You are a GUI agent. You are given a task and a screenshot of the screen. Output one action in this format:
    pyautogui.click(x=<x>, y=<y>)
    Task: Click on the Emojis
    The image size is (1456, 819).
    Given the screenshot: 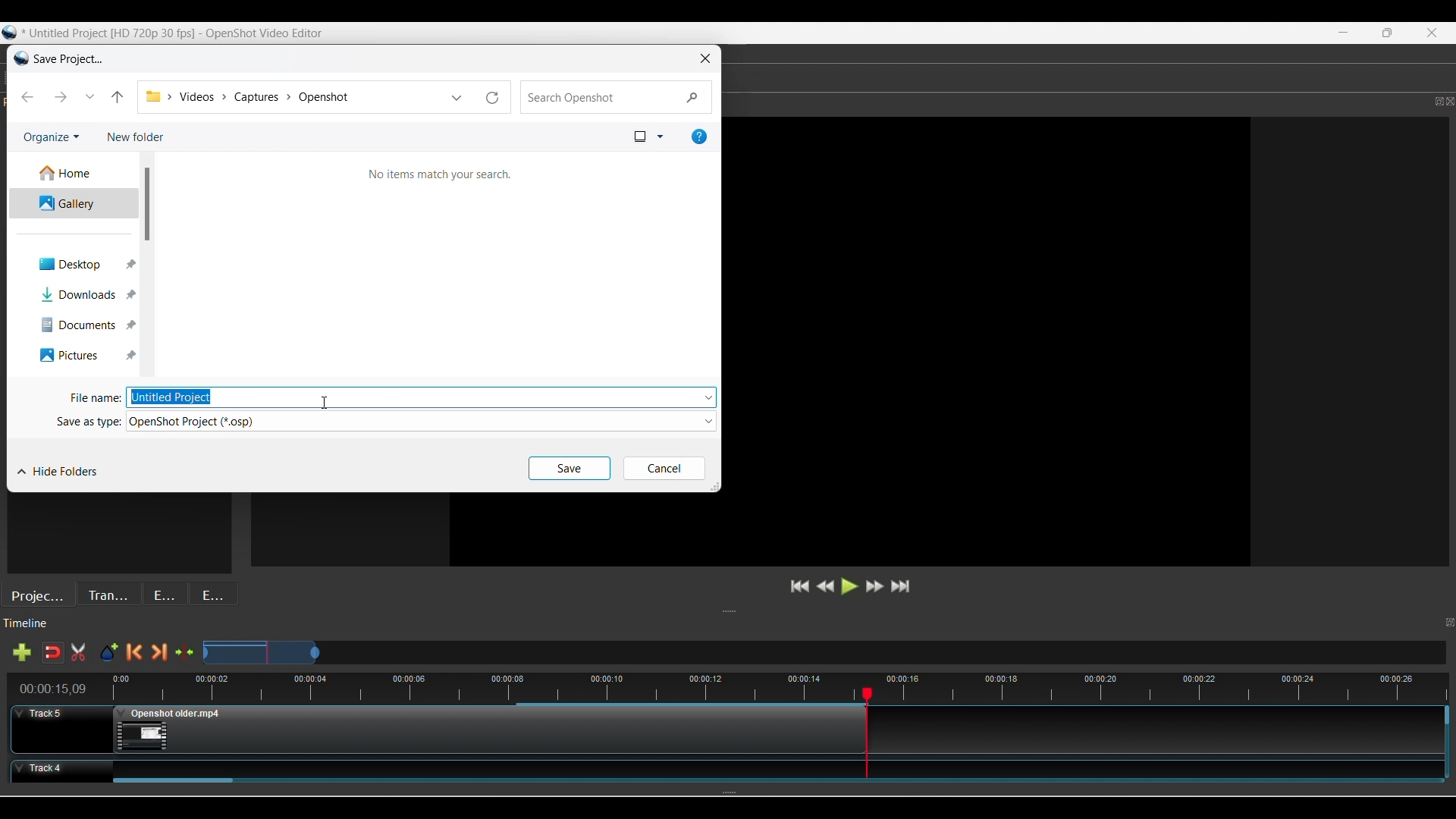 What is the action you would take?
    pyautogui.click(x=213, y=593)
    